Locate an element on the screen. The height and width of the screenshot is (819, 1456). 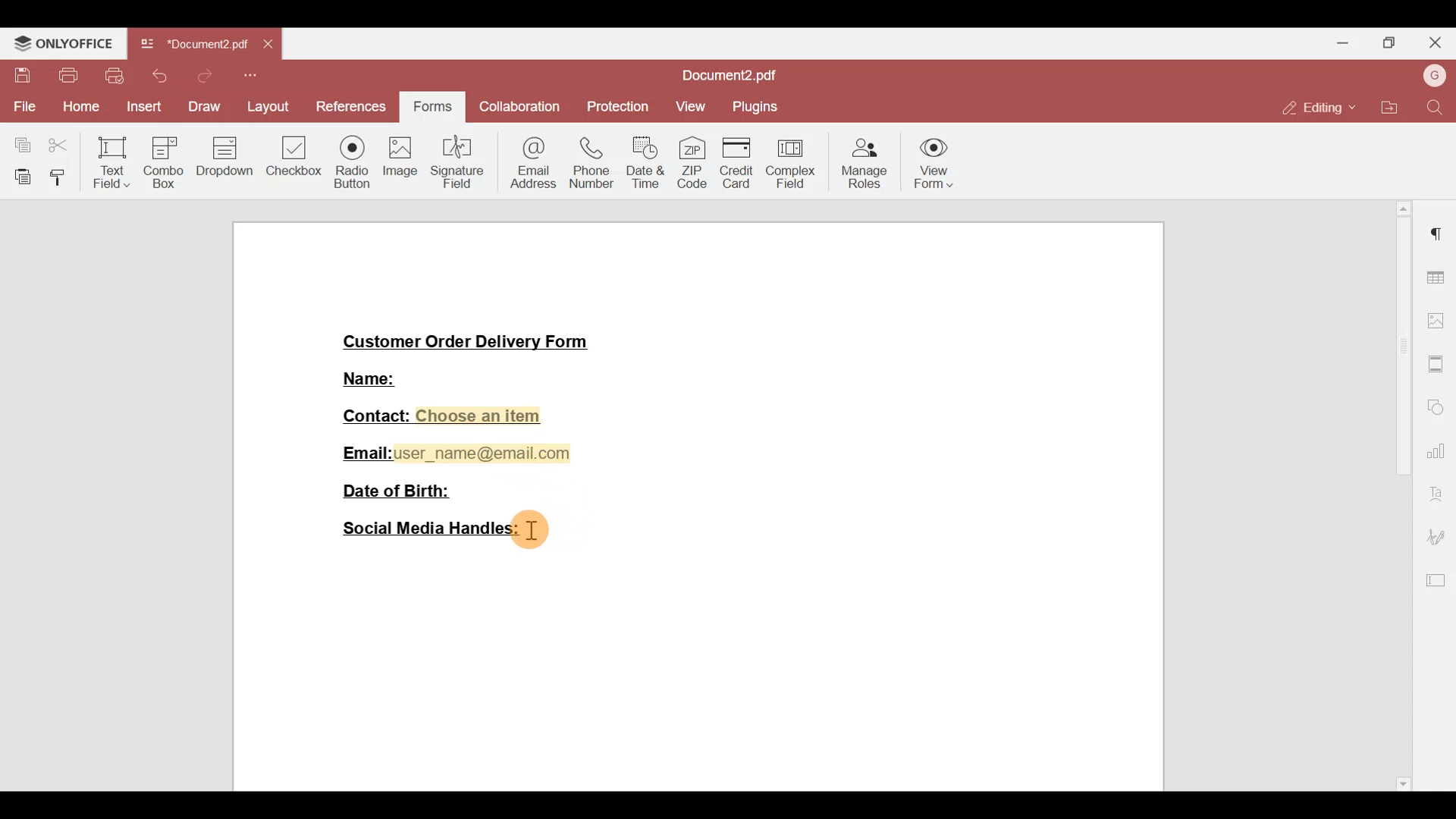
Paragraph settings is located at coordinates (1439, 236).